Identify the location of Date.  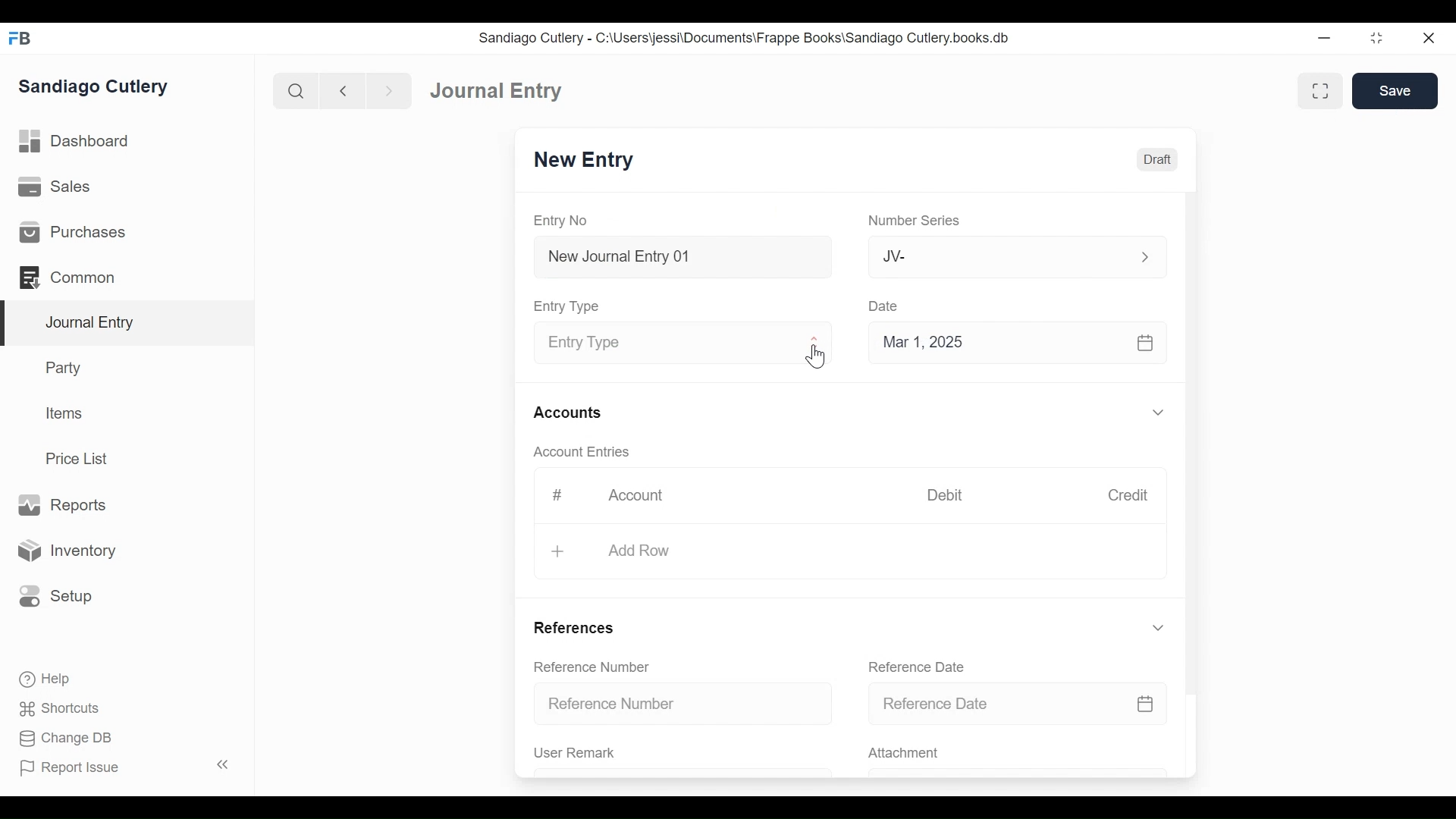
(884, 306).